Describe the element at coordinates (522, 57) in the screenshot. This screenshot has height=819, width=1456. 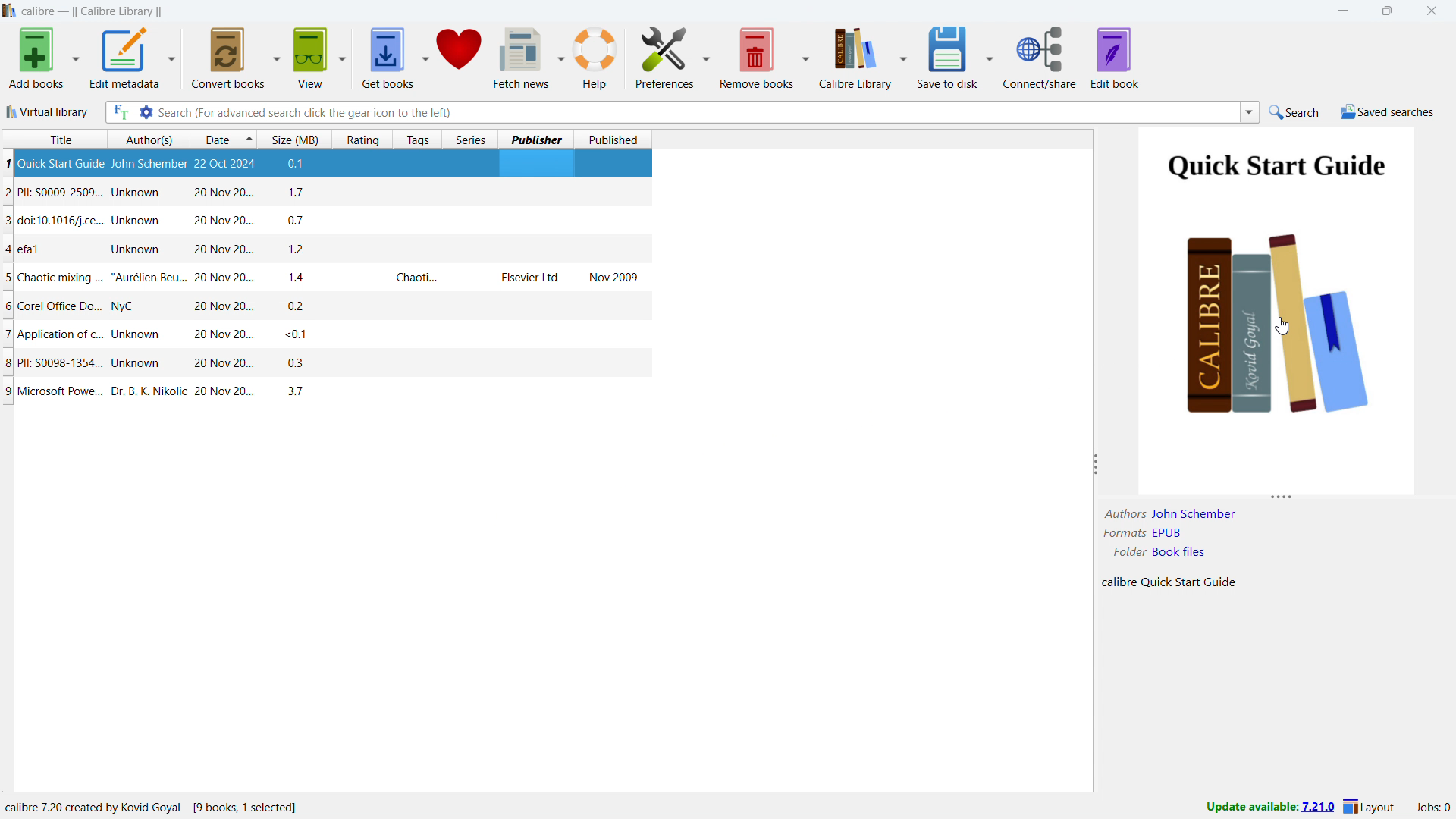
I see `fetch news` at that location.